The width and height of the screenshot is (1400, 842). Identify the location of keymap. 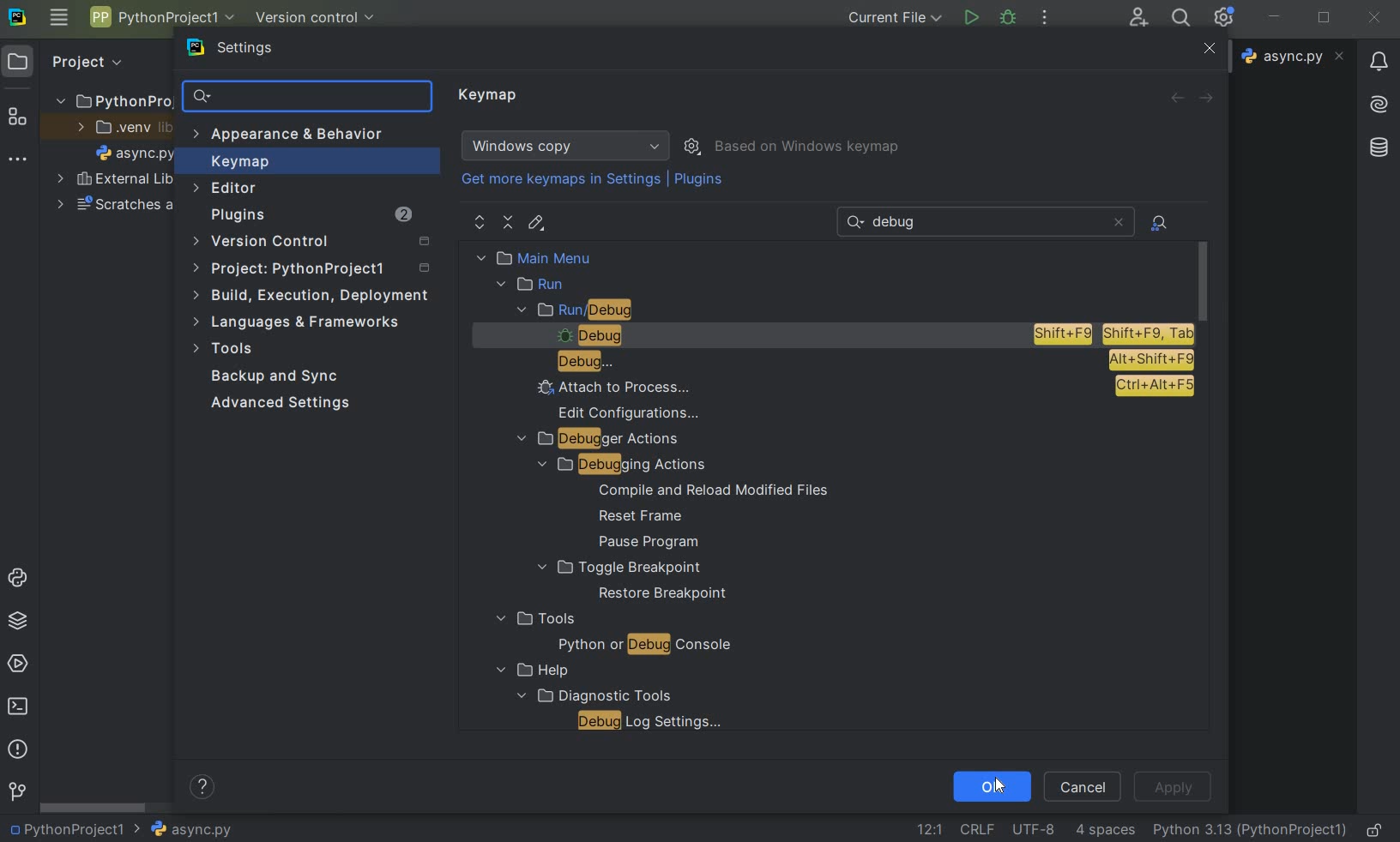
(490, 96).